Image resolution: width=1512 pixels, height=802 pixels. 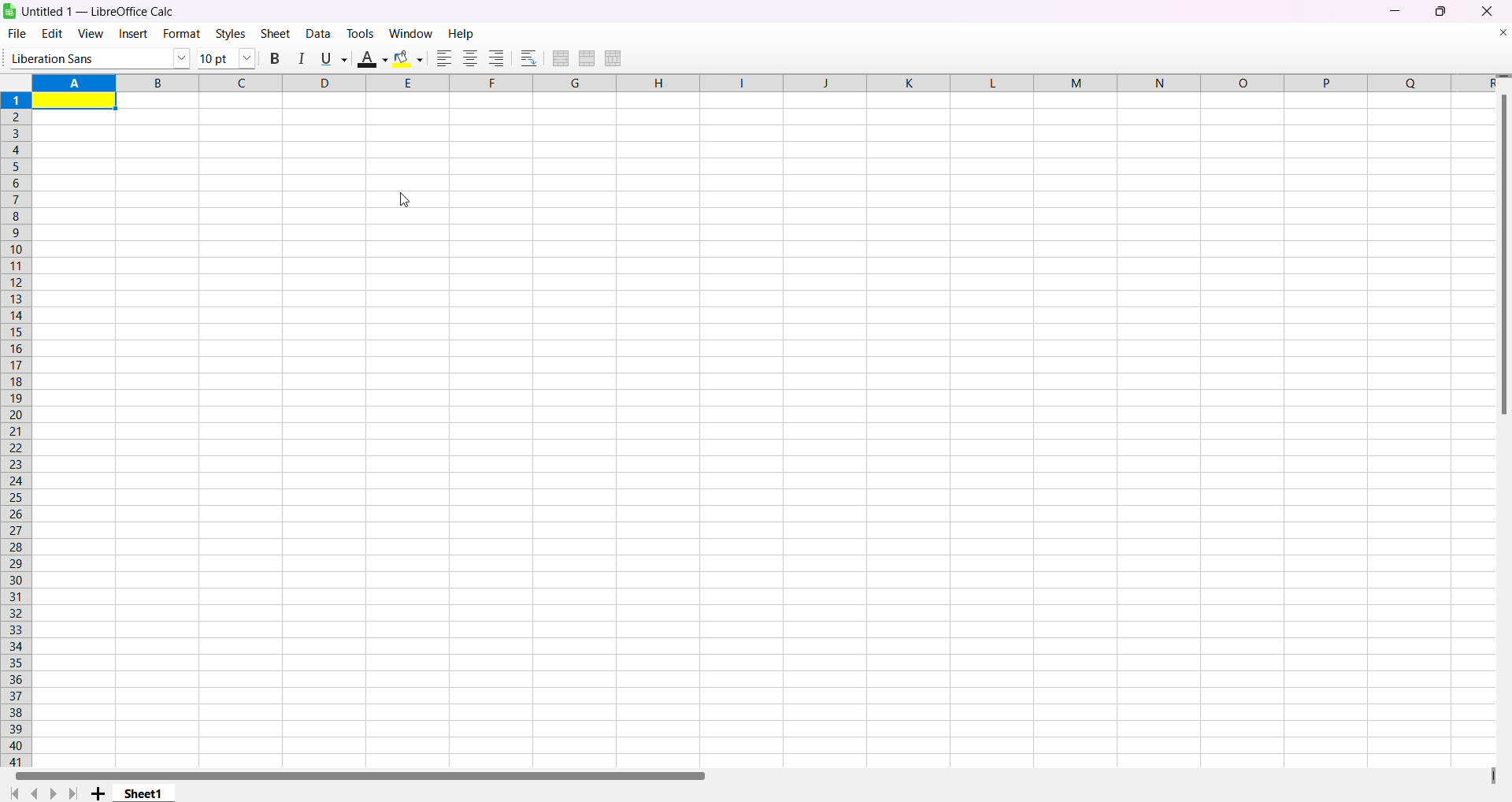 I want to click on next, so click(x=57, y=793).